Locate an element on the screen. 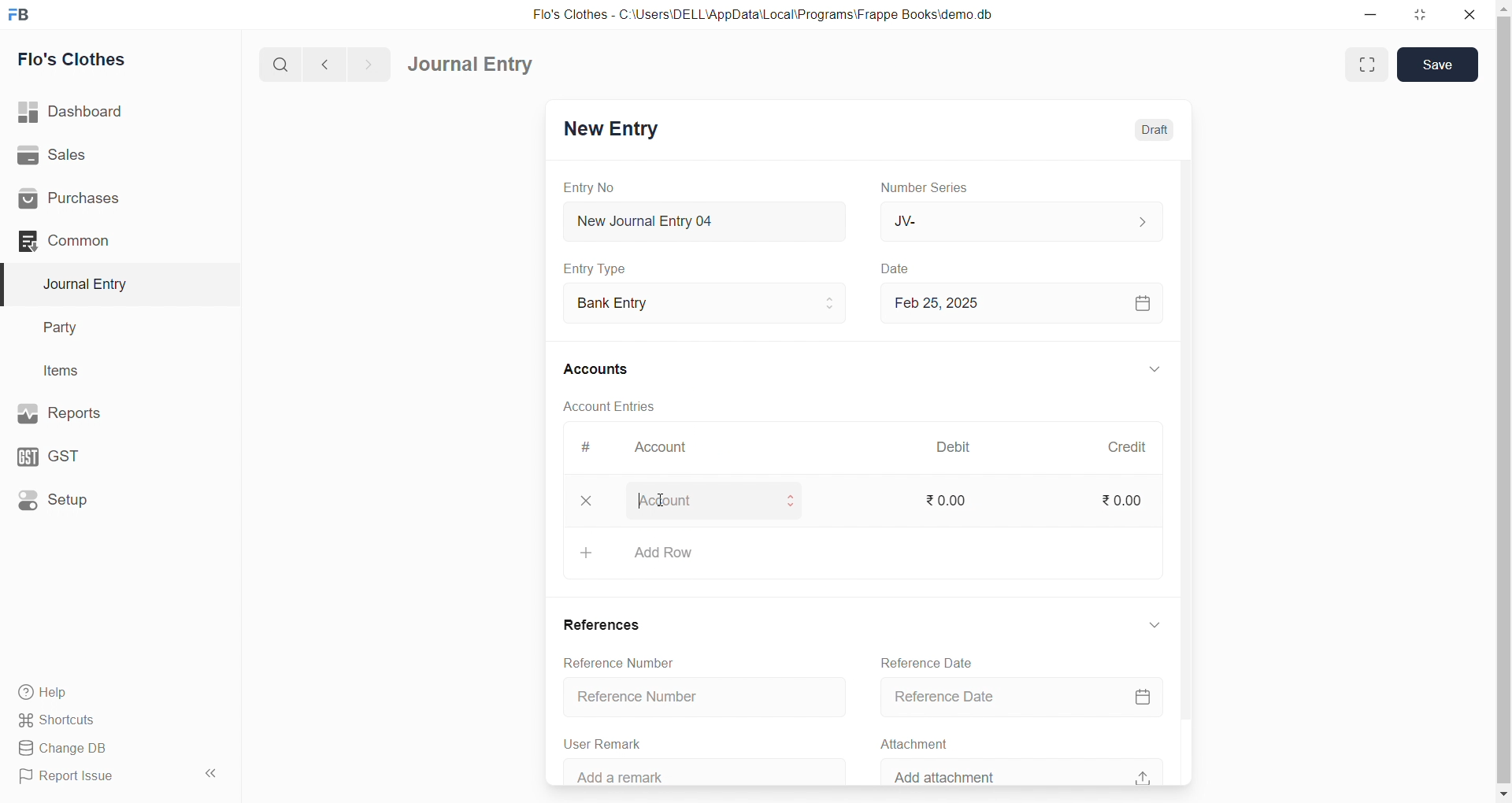  Items is located at coordinates (109, 372).